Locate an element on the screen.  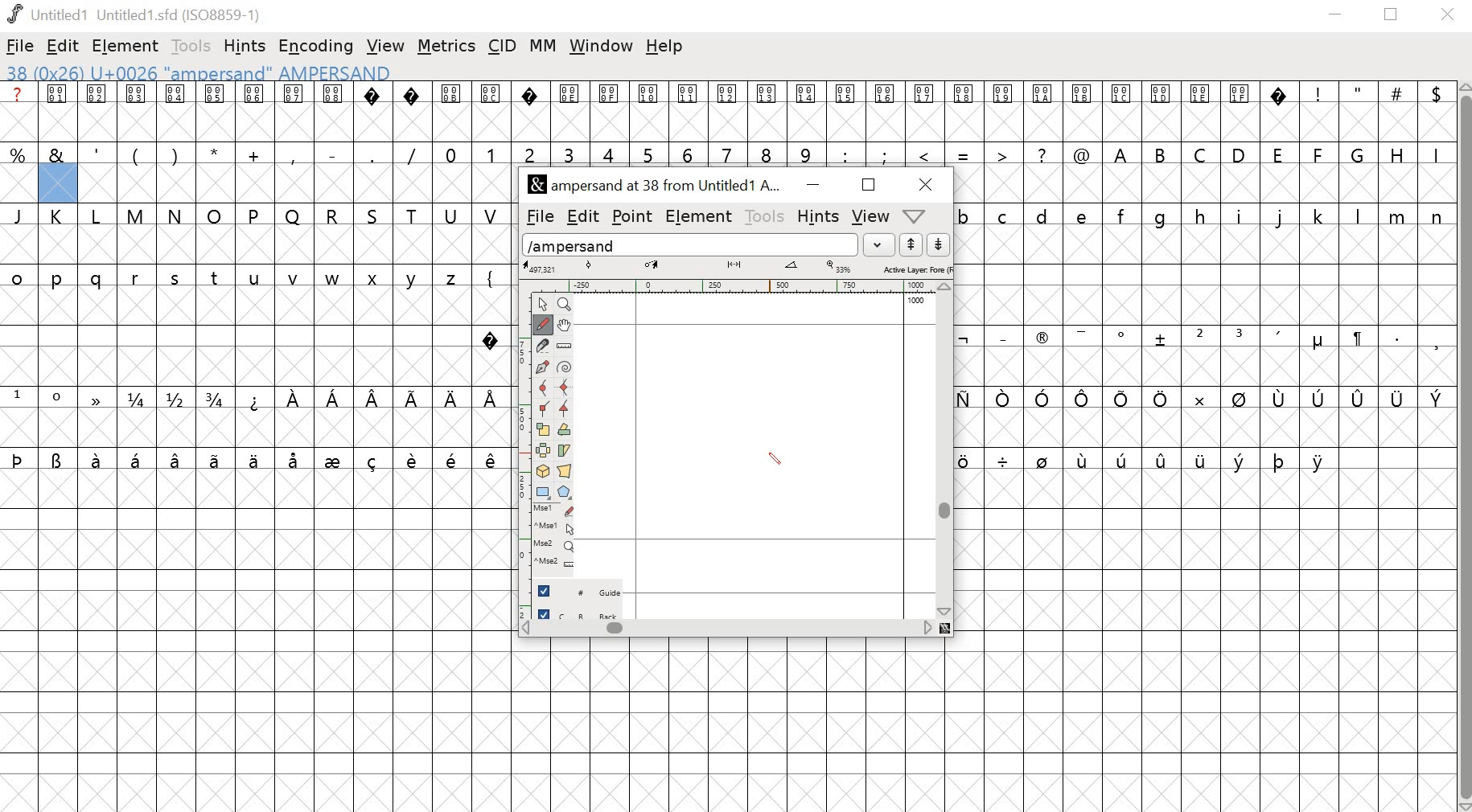
y is located at coordinates (415, 278).